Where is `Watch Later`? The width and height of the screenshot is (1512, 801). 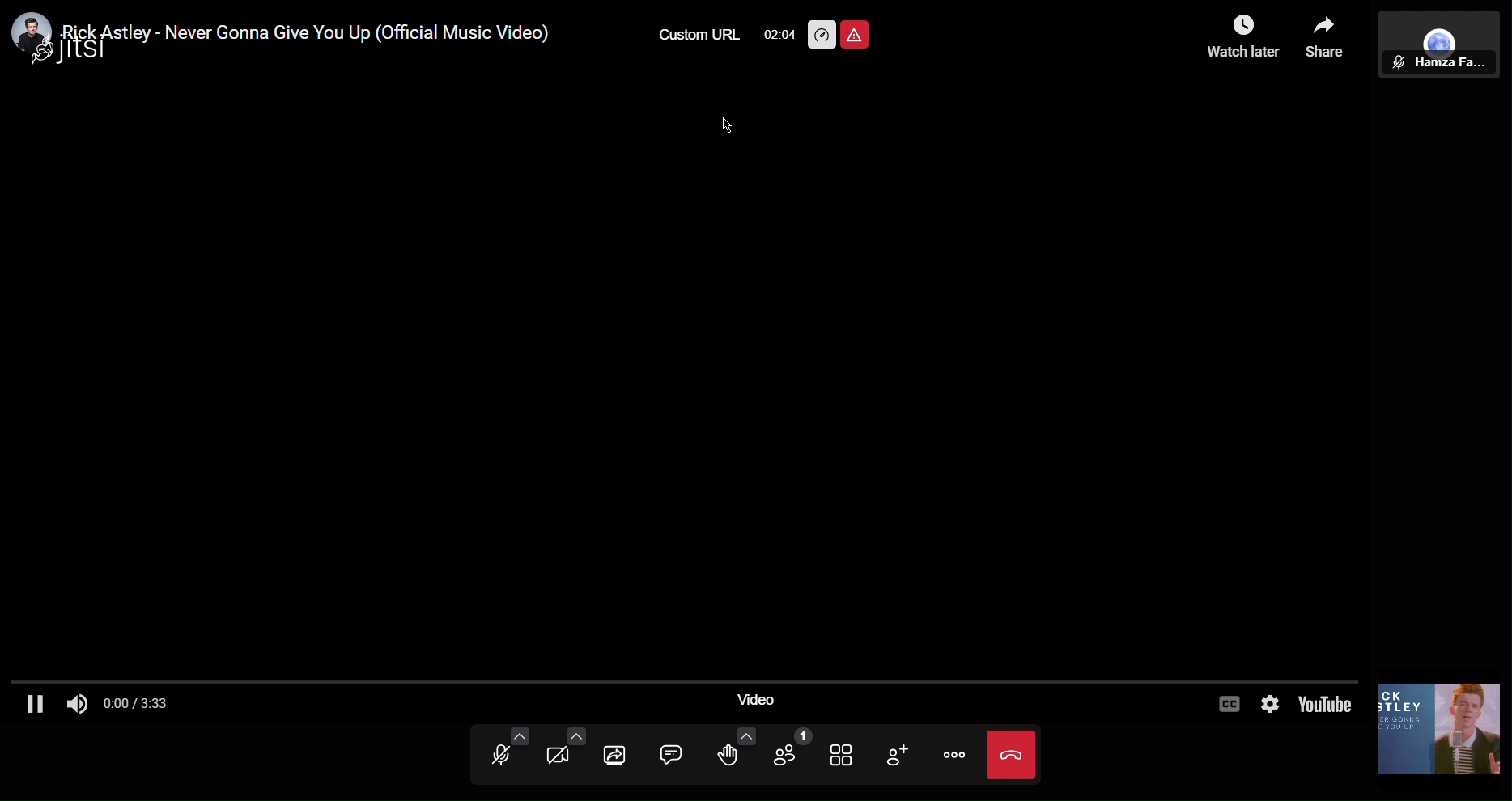 Watch Later is located at coordinates (1240, 36).